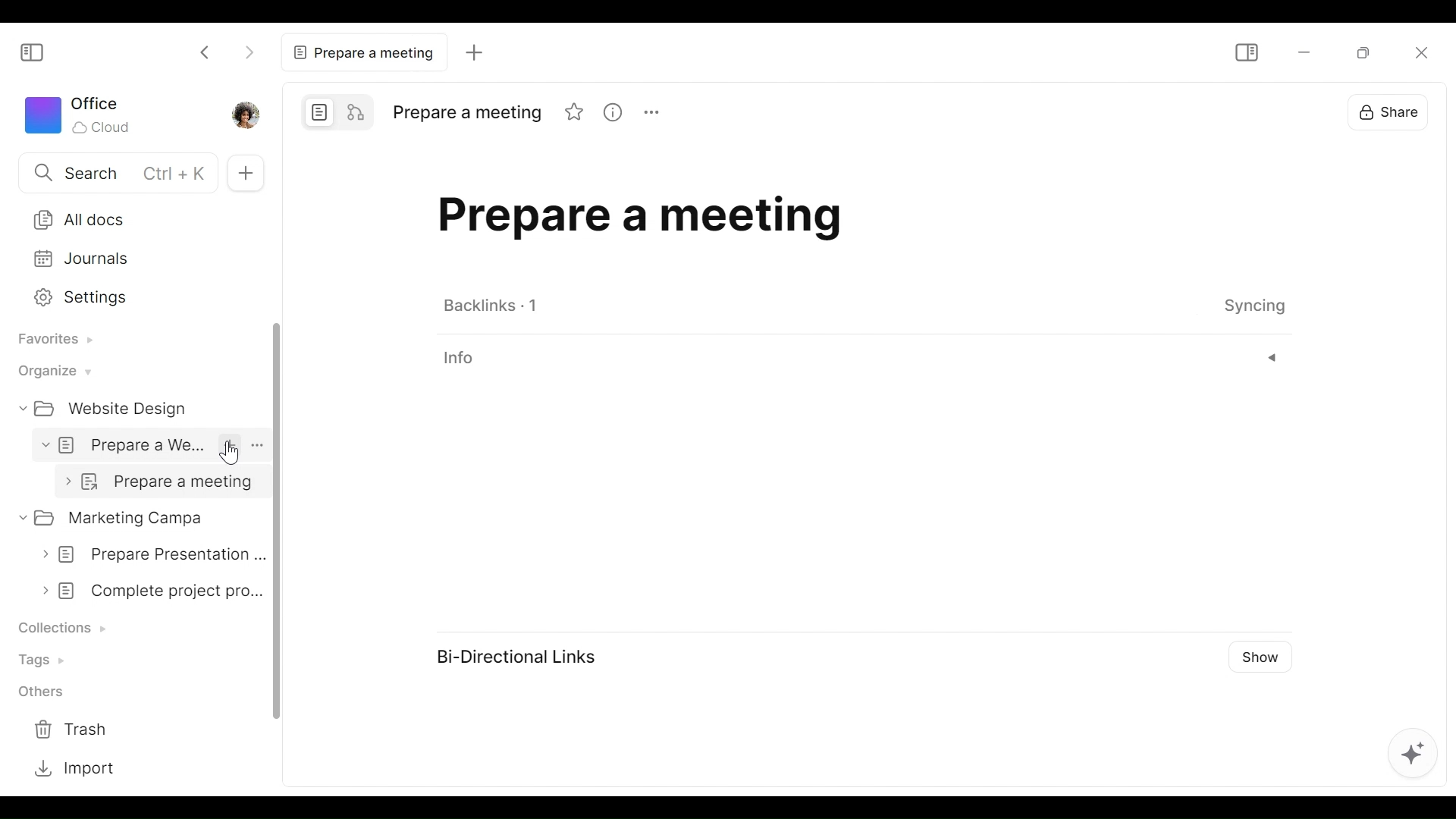  I want to click on Back , so click(206, 52).